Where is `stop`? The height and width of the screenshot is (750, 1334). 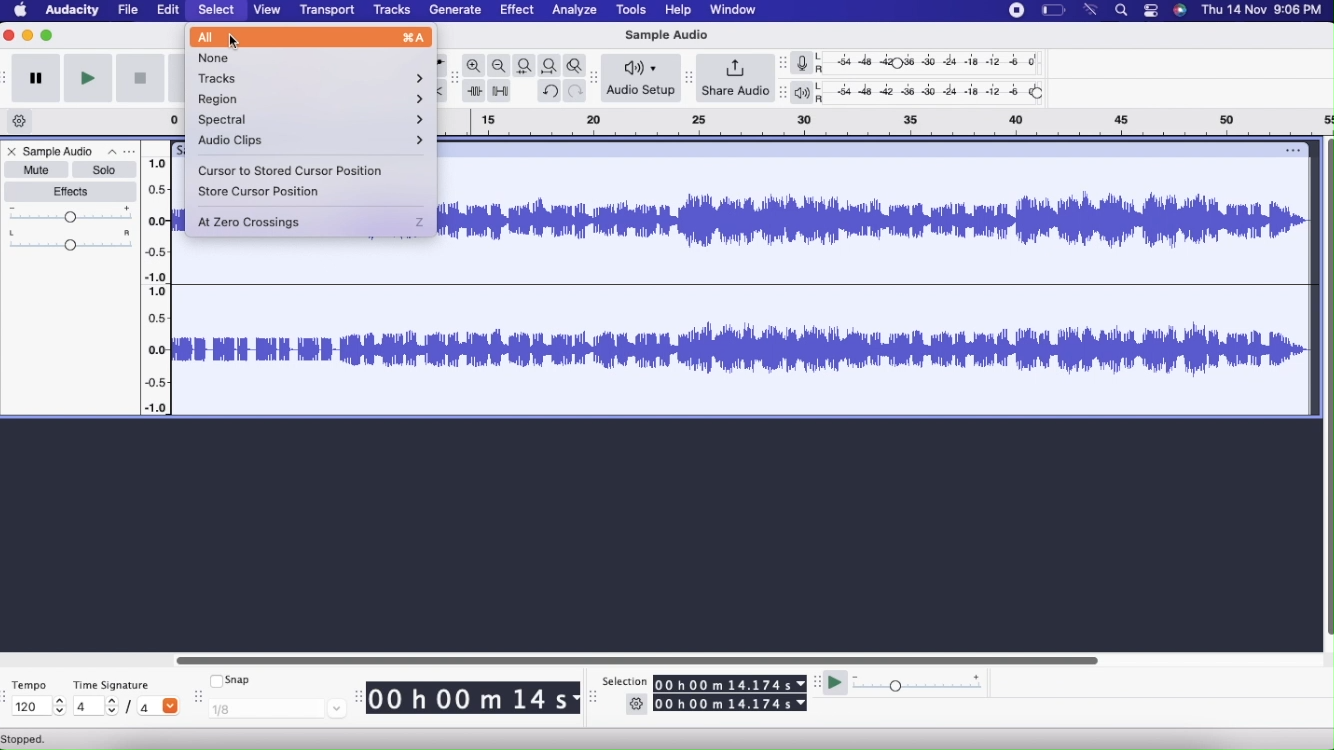 stop is located at coordinates (139, 79).